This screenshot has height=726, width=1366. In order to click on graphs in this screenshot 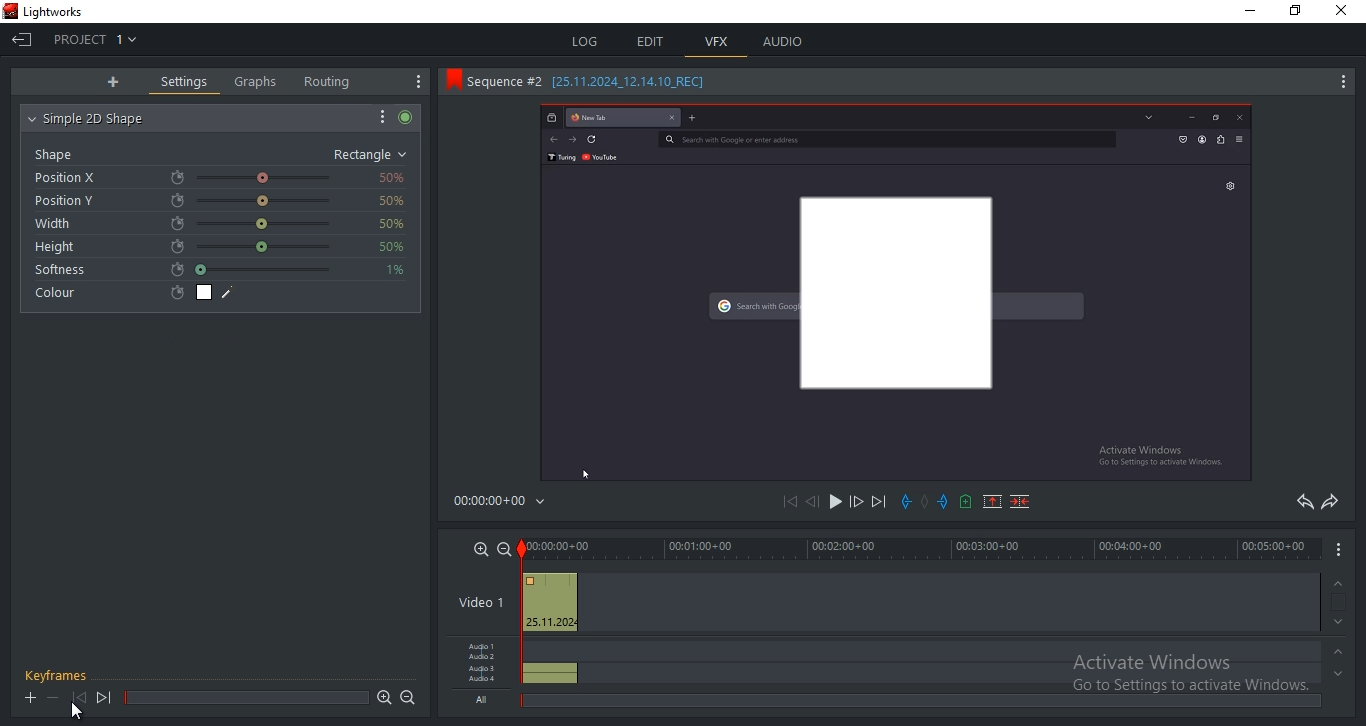, I will do `click(255, 80)`.